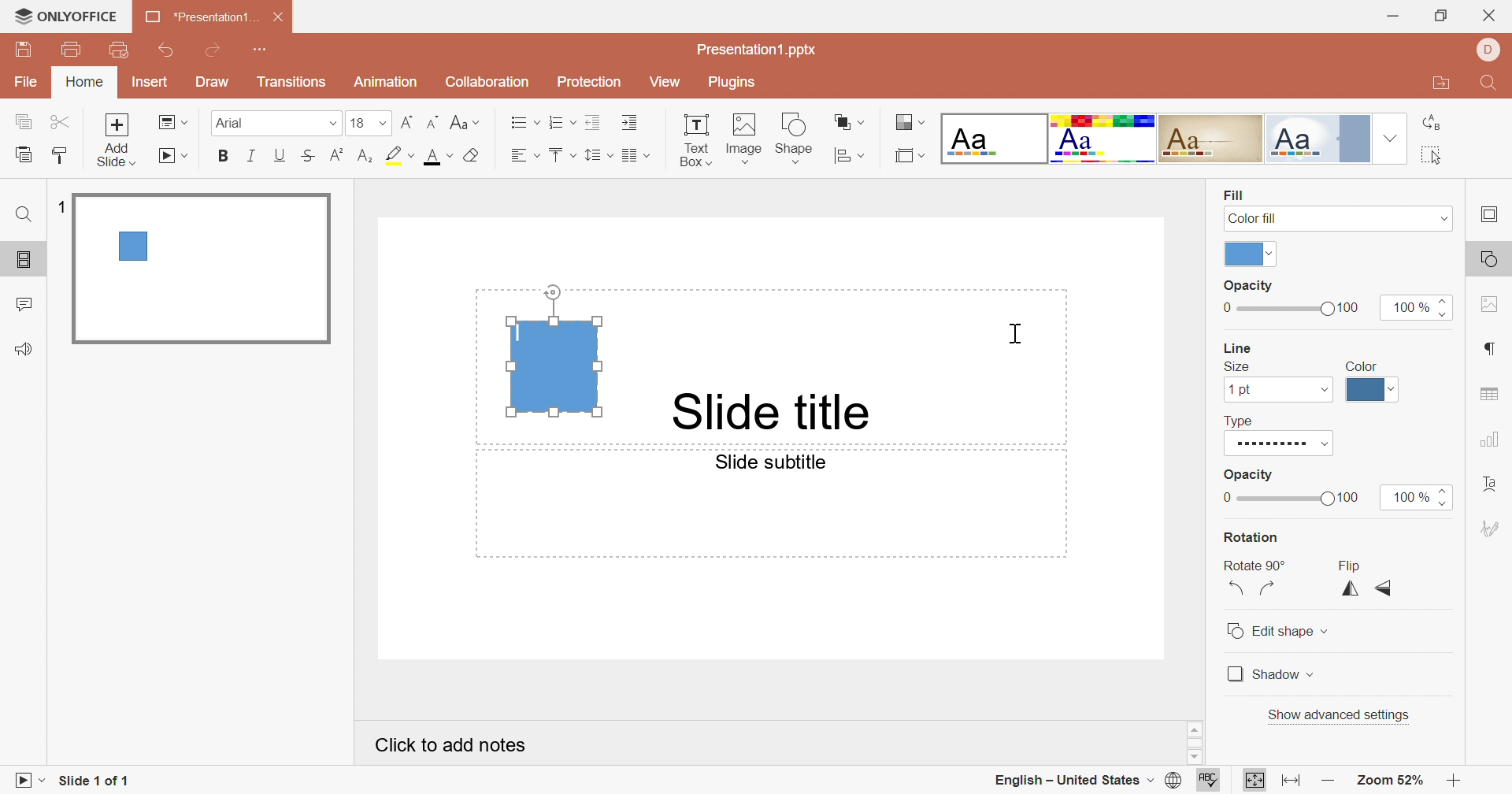  I want to click on Change slide layout, so click(172, 123).